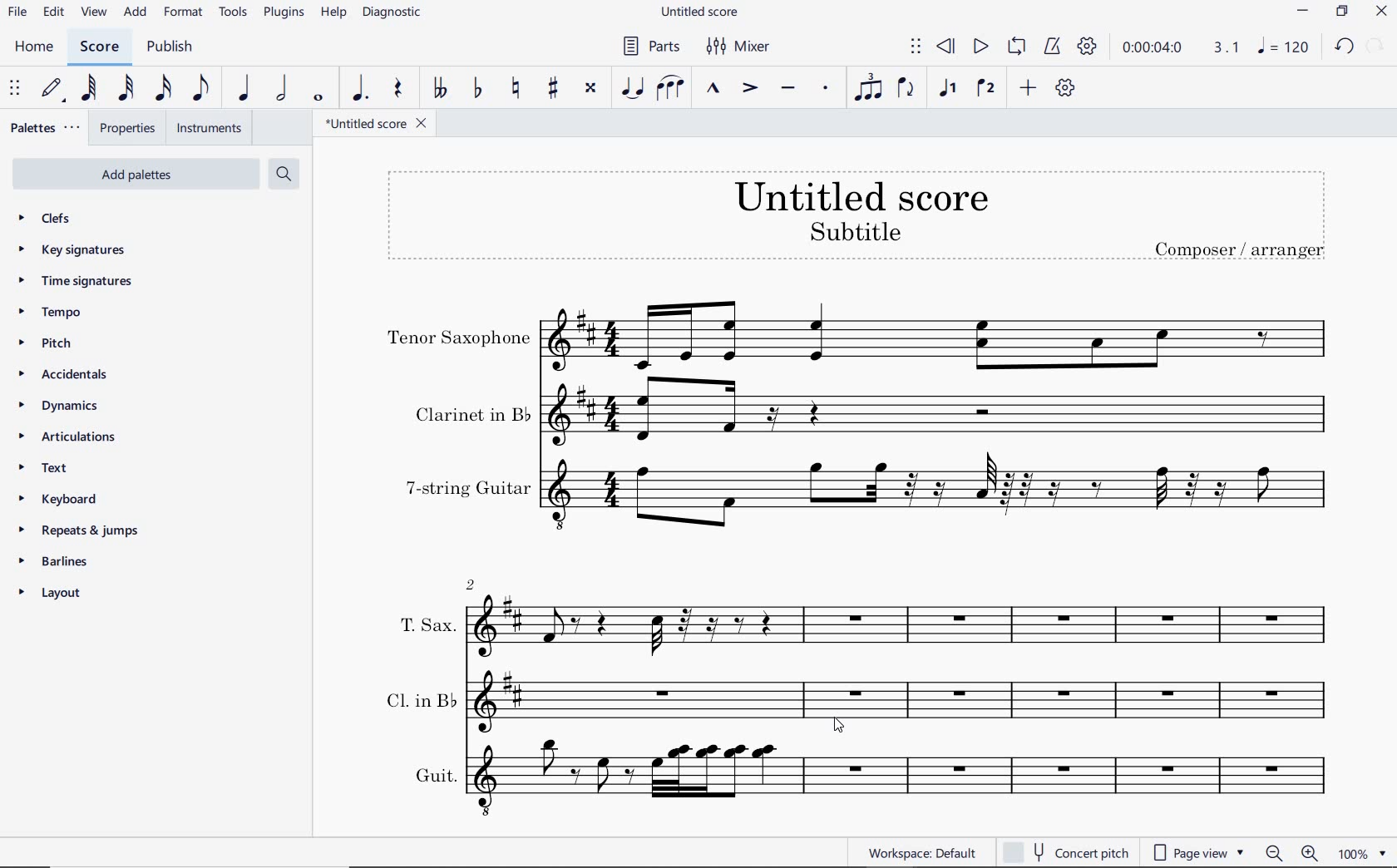  Describe the element at coordinates (669, 86) in the screenshot. I see `SLUR` at that location.